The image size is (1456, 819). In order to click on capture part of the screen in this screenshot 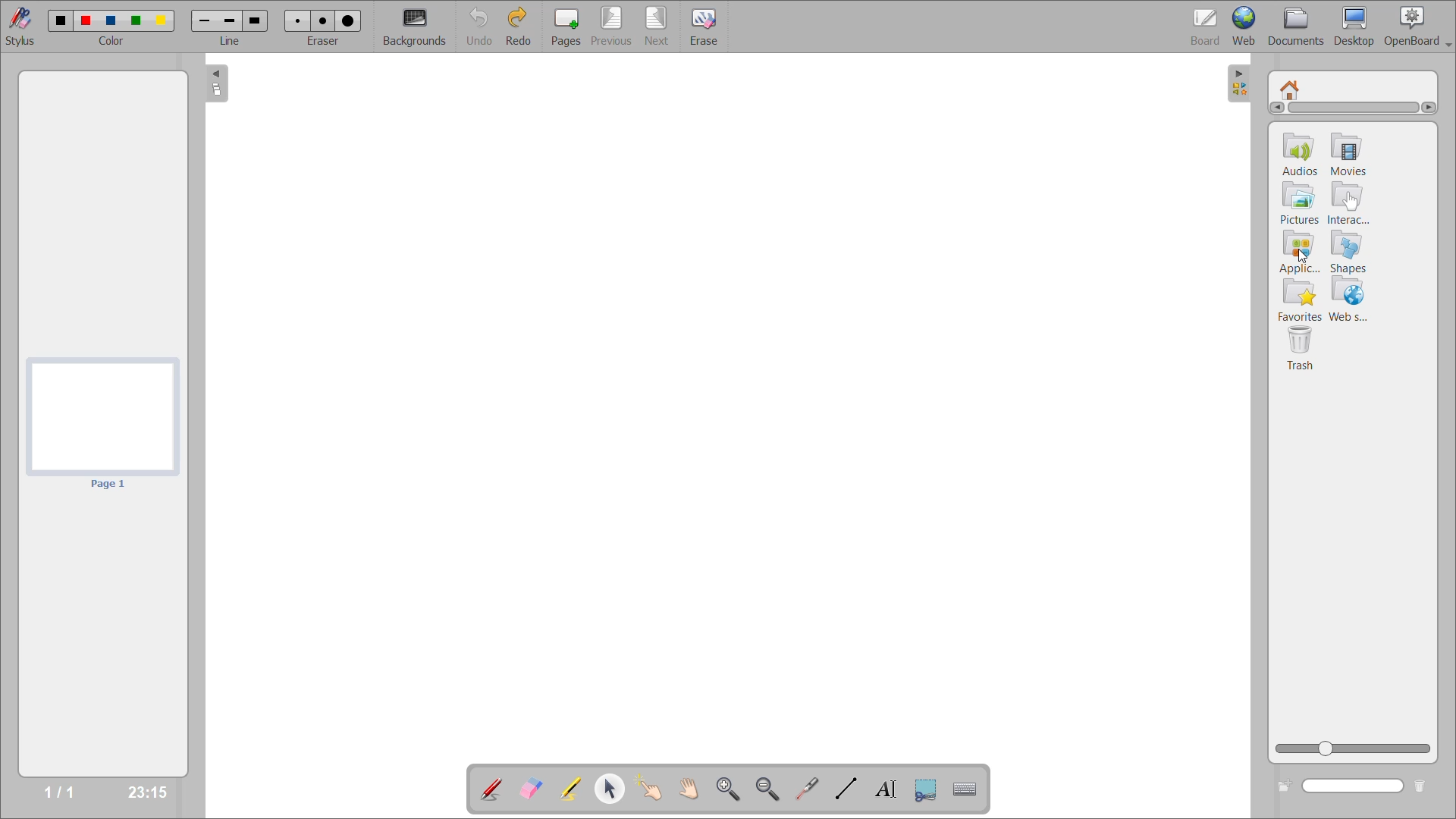, I will do `click(929, 788)`.